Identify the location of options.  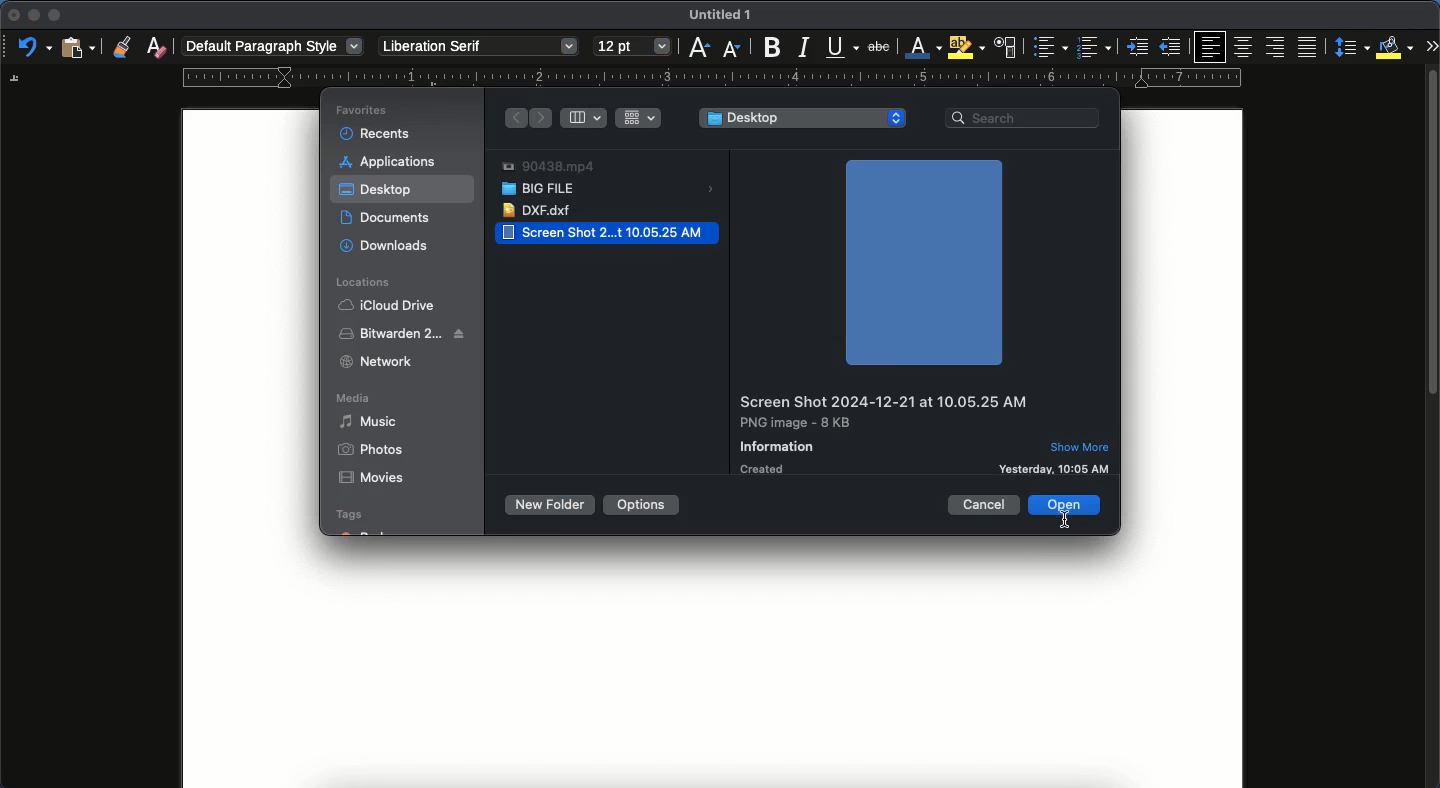
(640, 504).